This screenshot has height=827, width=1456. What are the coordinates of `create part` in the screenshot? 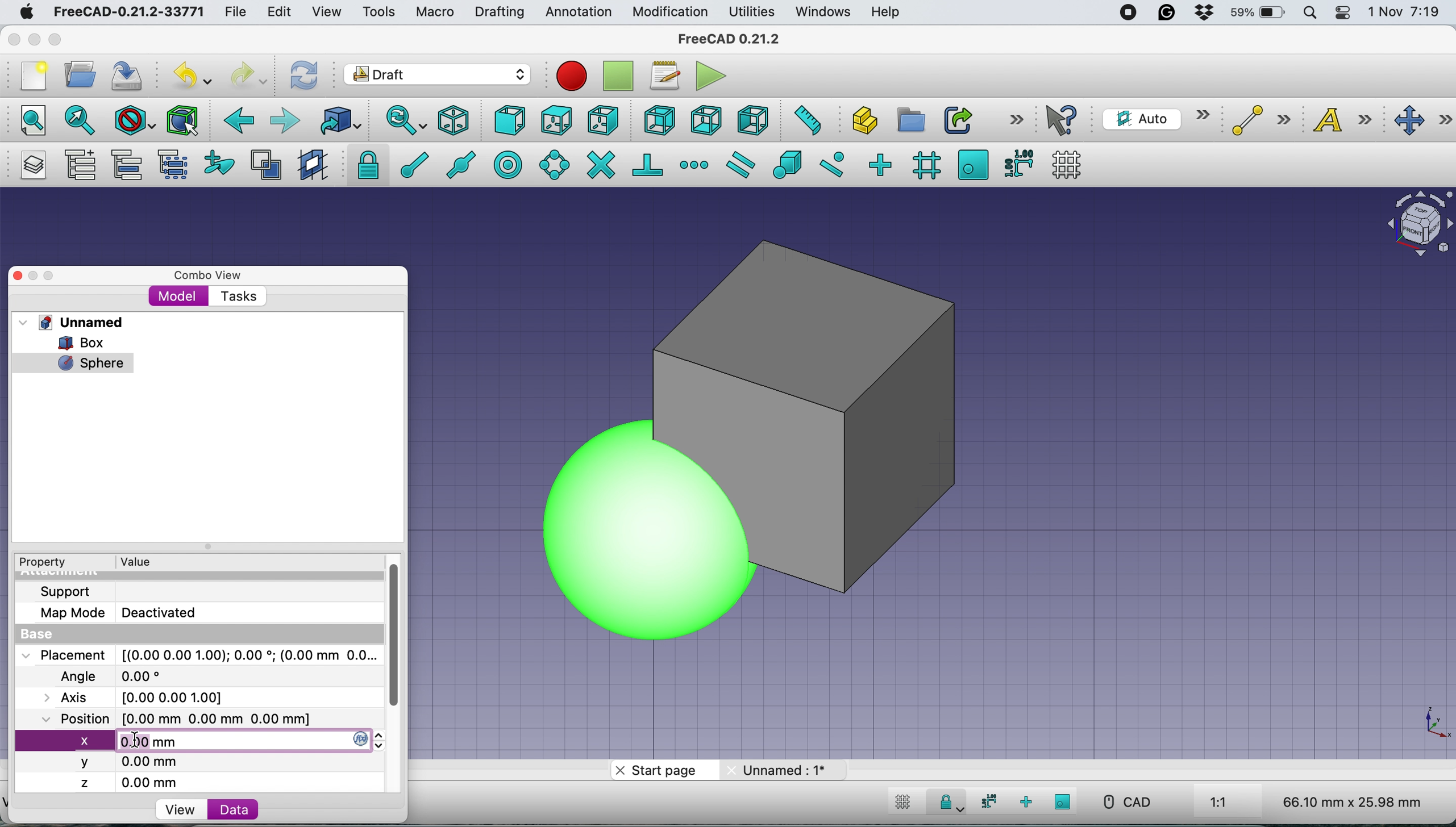 It's located at (861, 122).